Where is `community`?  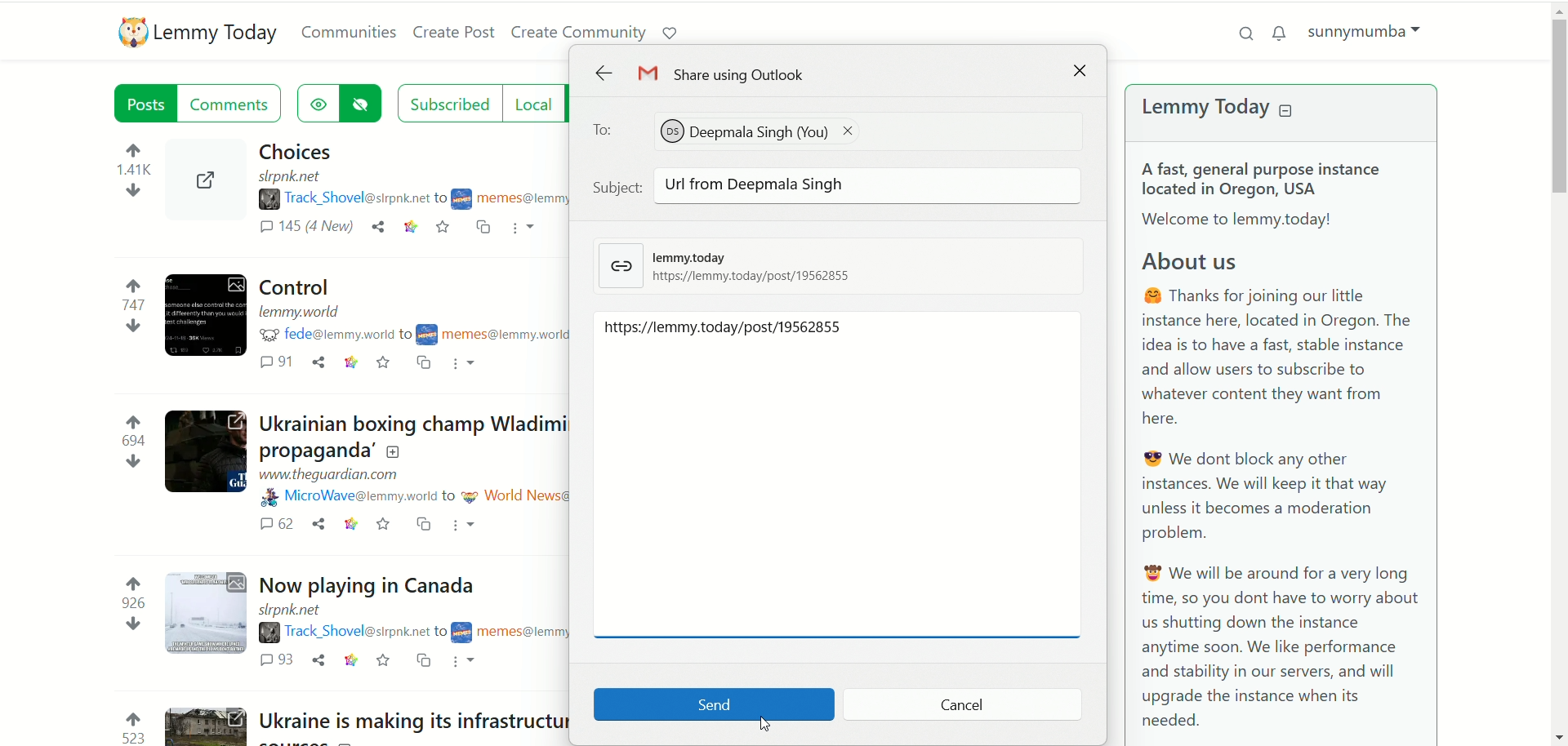 community is located at coordinates (492, 331).